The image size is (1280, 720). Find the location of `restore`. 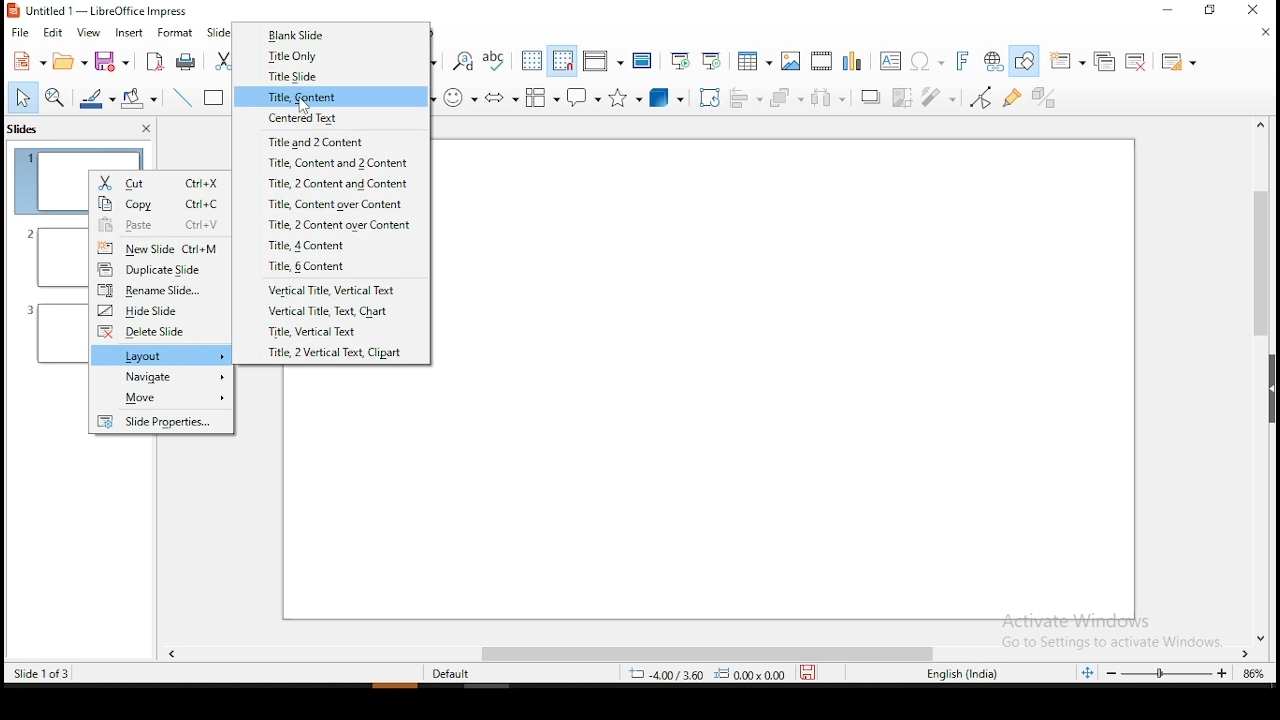

restore is located at coordinates (1209, 13).